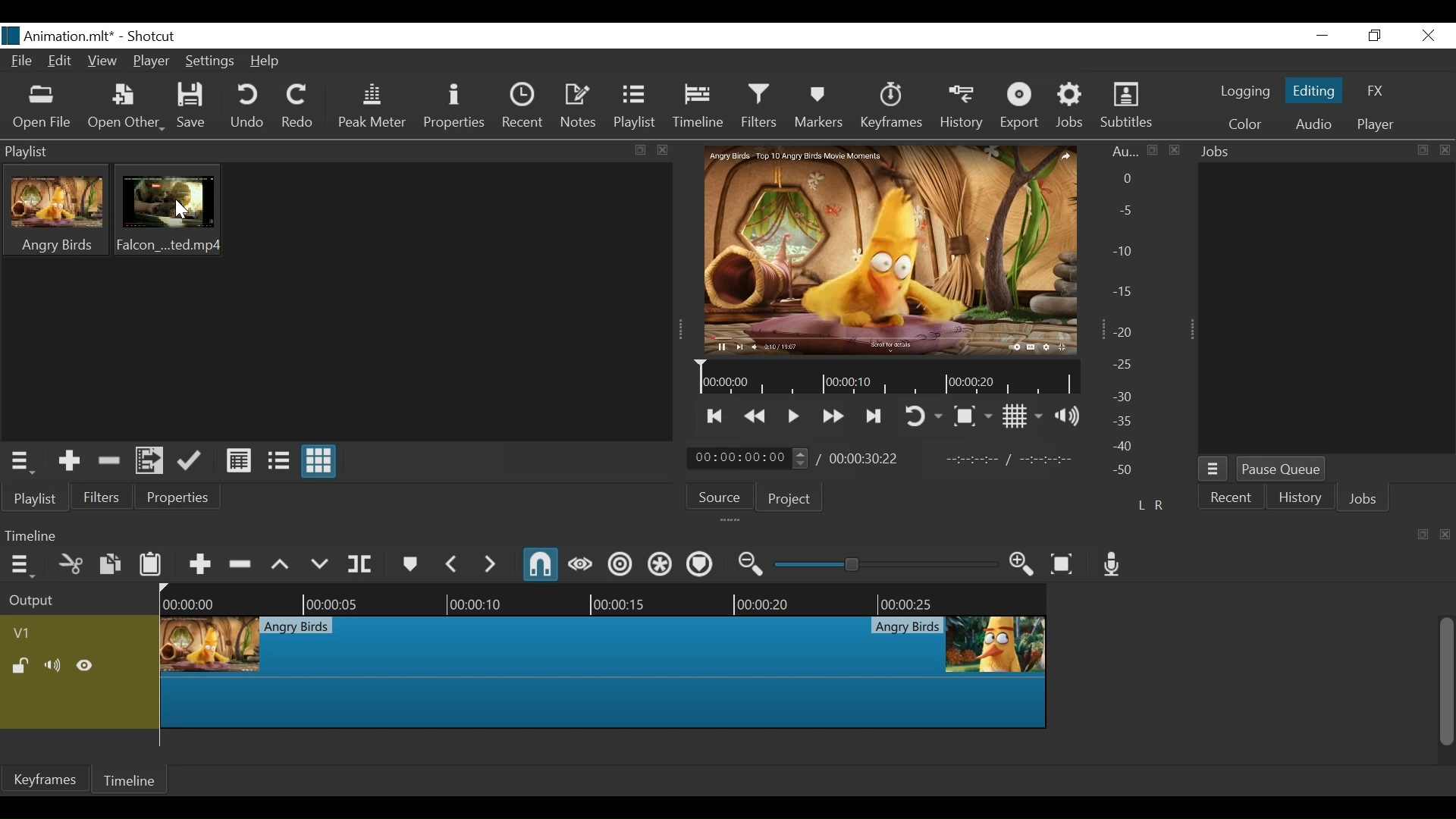 This screenshot has height=819, width=1456. I want to click on Media Viewer, so click(890, 249).